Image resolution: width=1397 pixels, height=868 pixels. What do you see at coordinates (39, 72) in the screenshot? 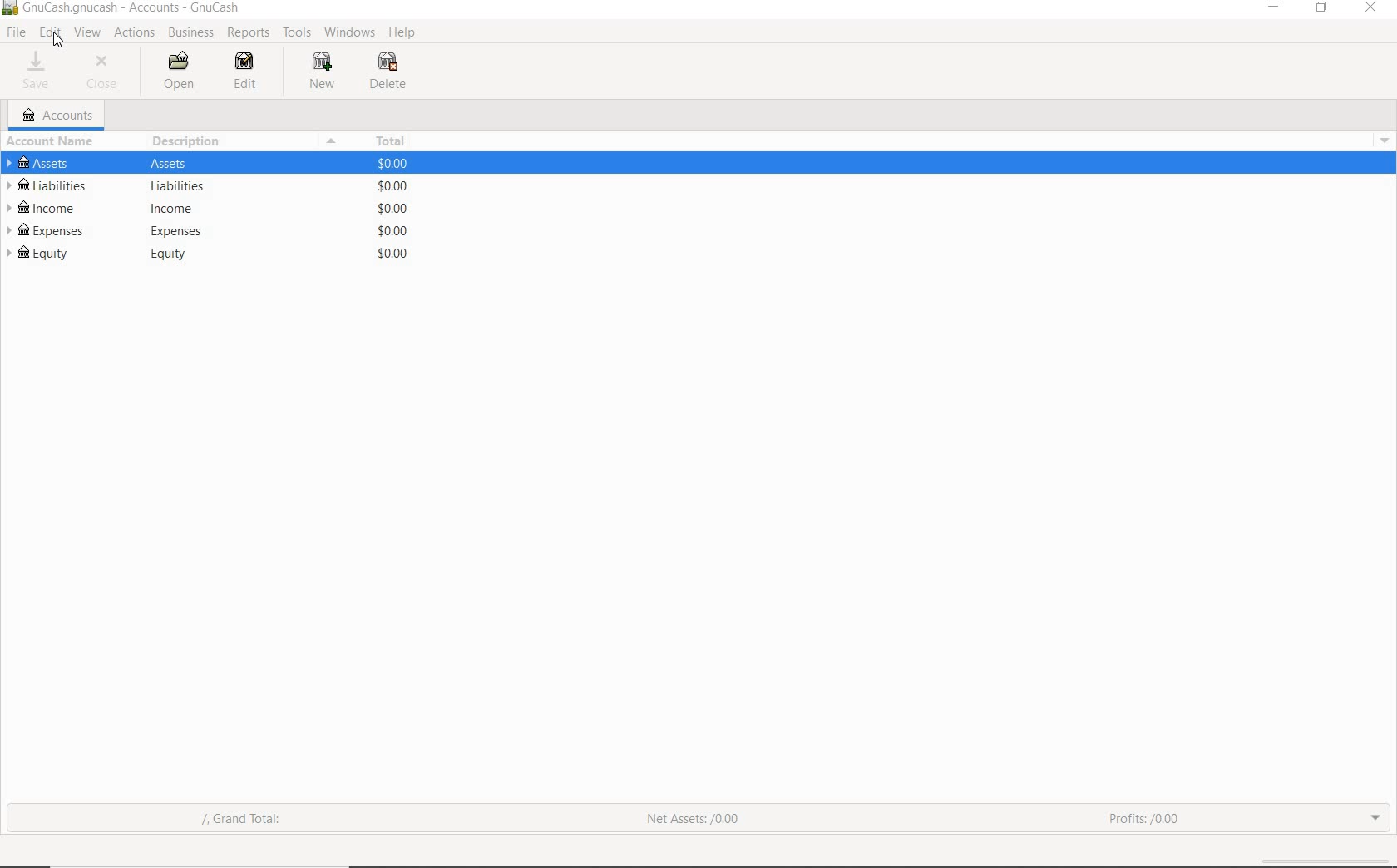
I see `SAVE` at bounding box center [39, 72].